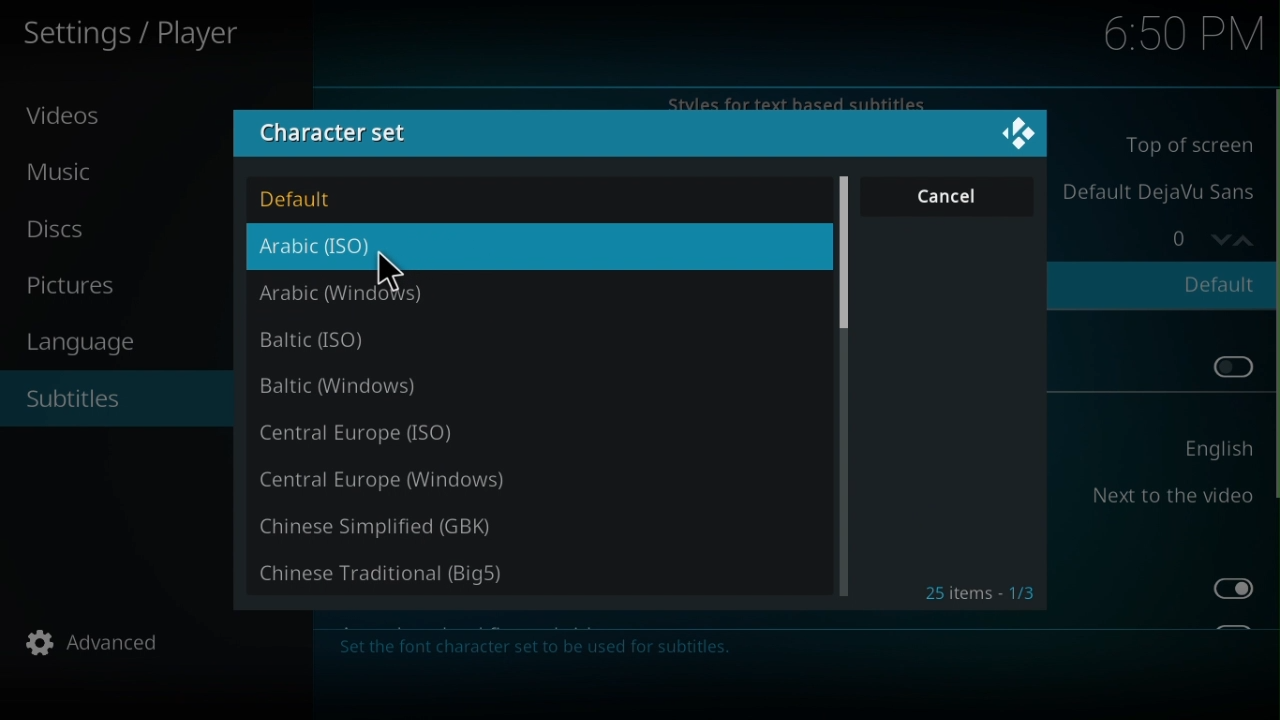  What do you see at coordinates (556, 649) in the screenshot?
I see `Description about change in character` at bounding box center [556, 649].